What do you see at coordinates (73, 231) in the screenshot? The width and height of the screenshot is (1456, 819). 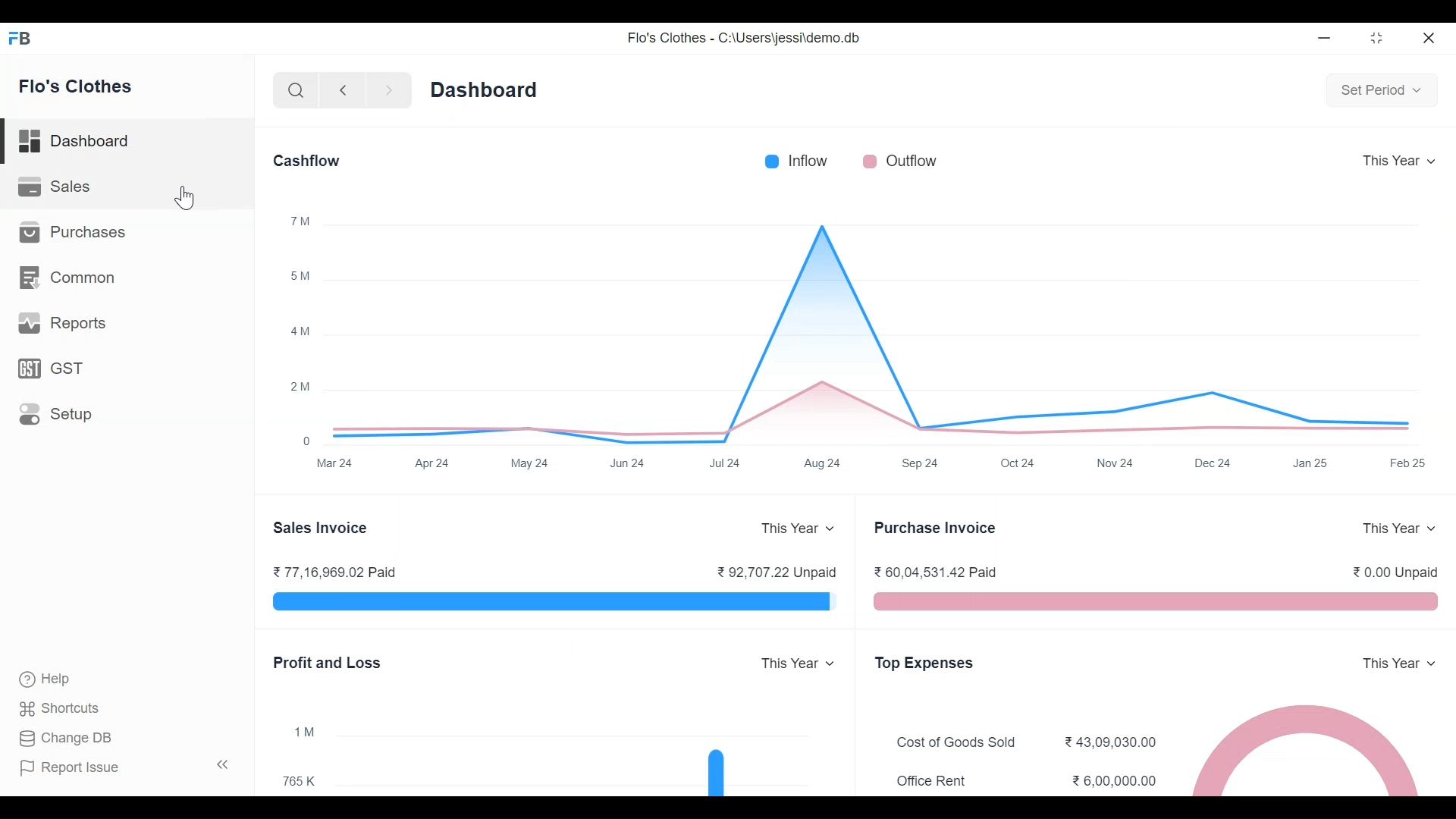 I see `Purchases` at bounding box center [73, 231].